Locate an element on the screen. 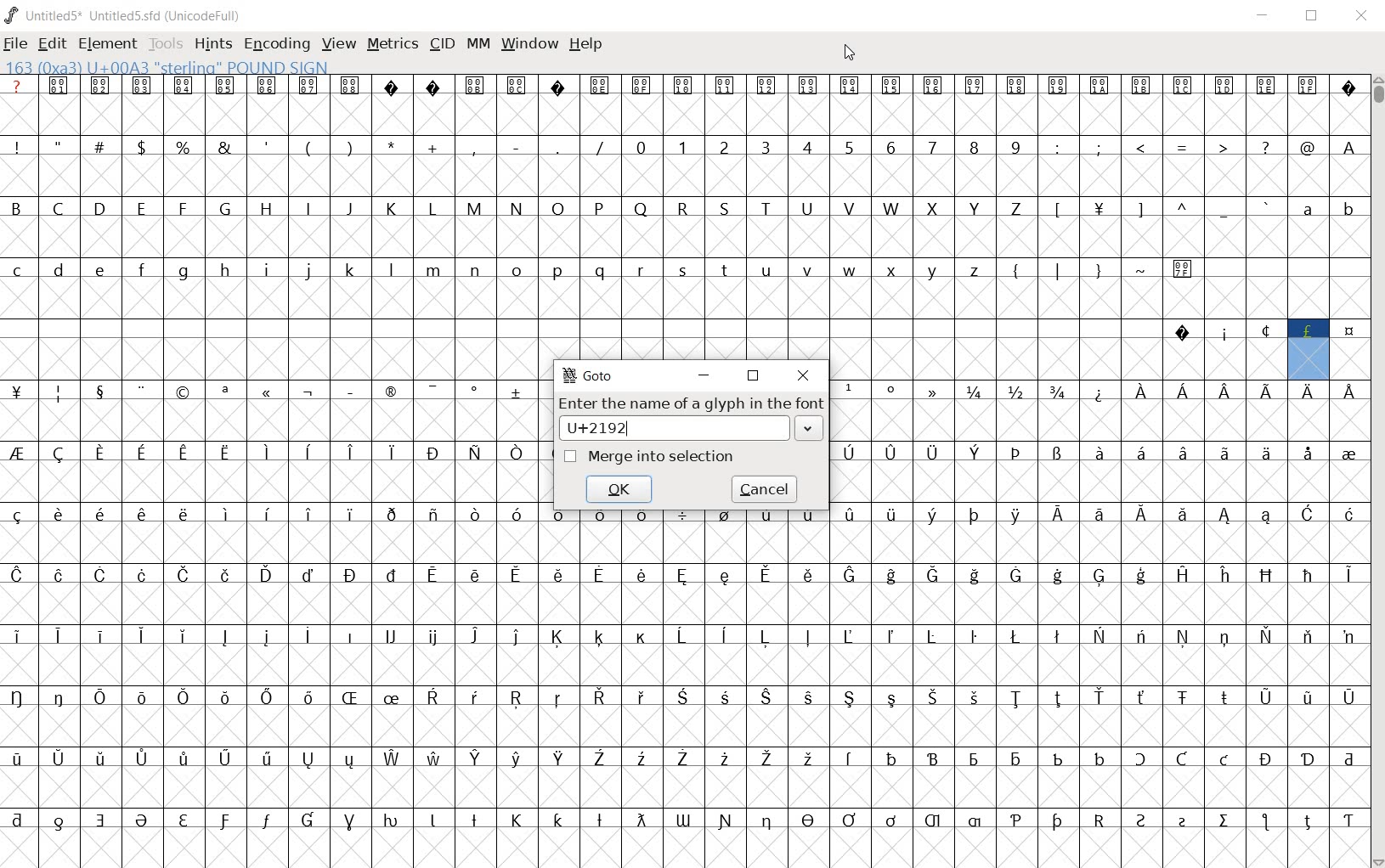  minimize is located at coordinates (702, 375).